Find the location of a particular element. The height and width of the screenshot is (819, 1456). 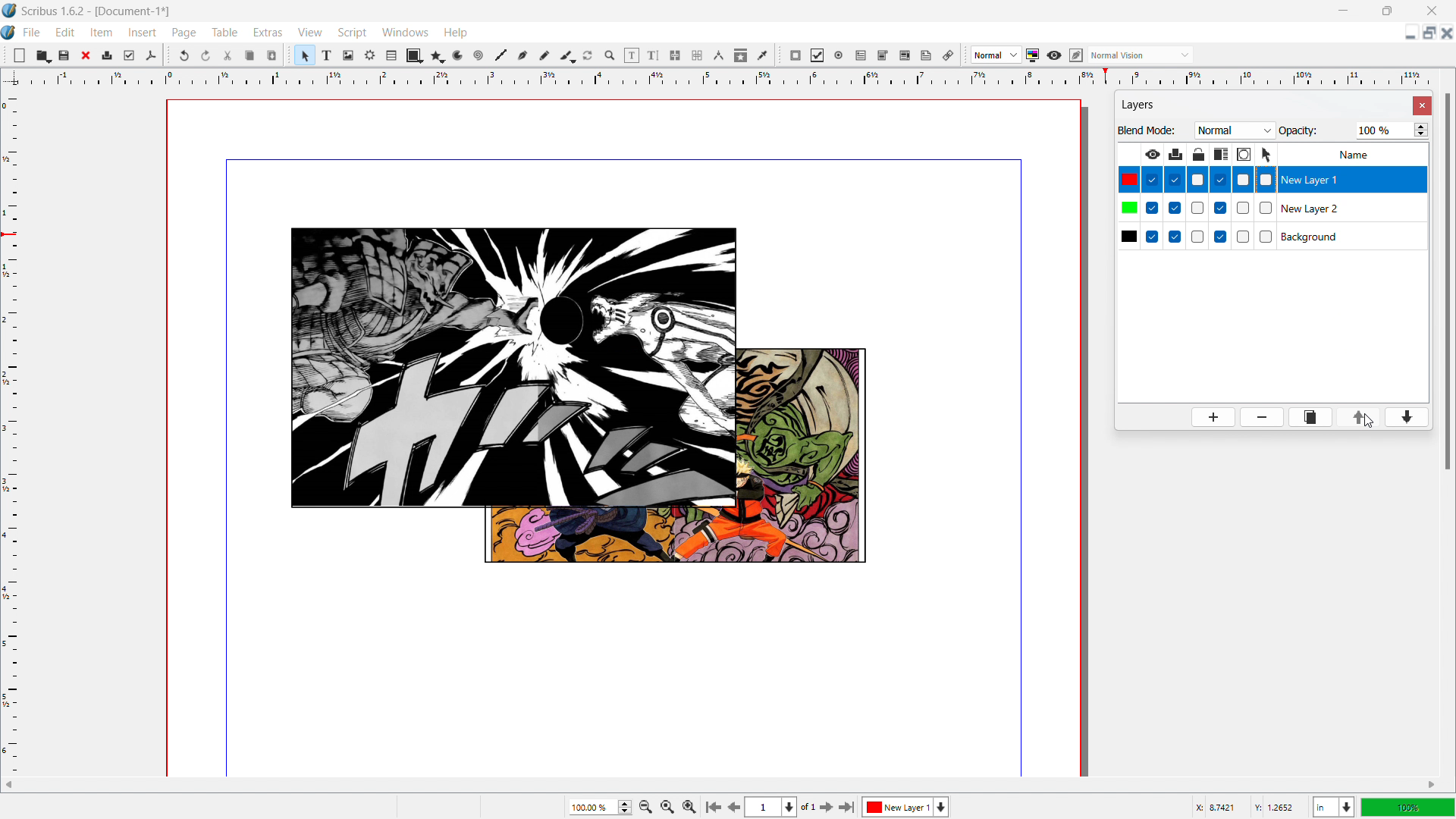

make layer visible is located at coordinates (1152, 154).